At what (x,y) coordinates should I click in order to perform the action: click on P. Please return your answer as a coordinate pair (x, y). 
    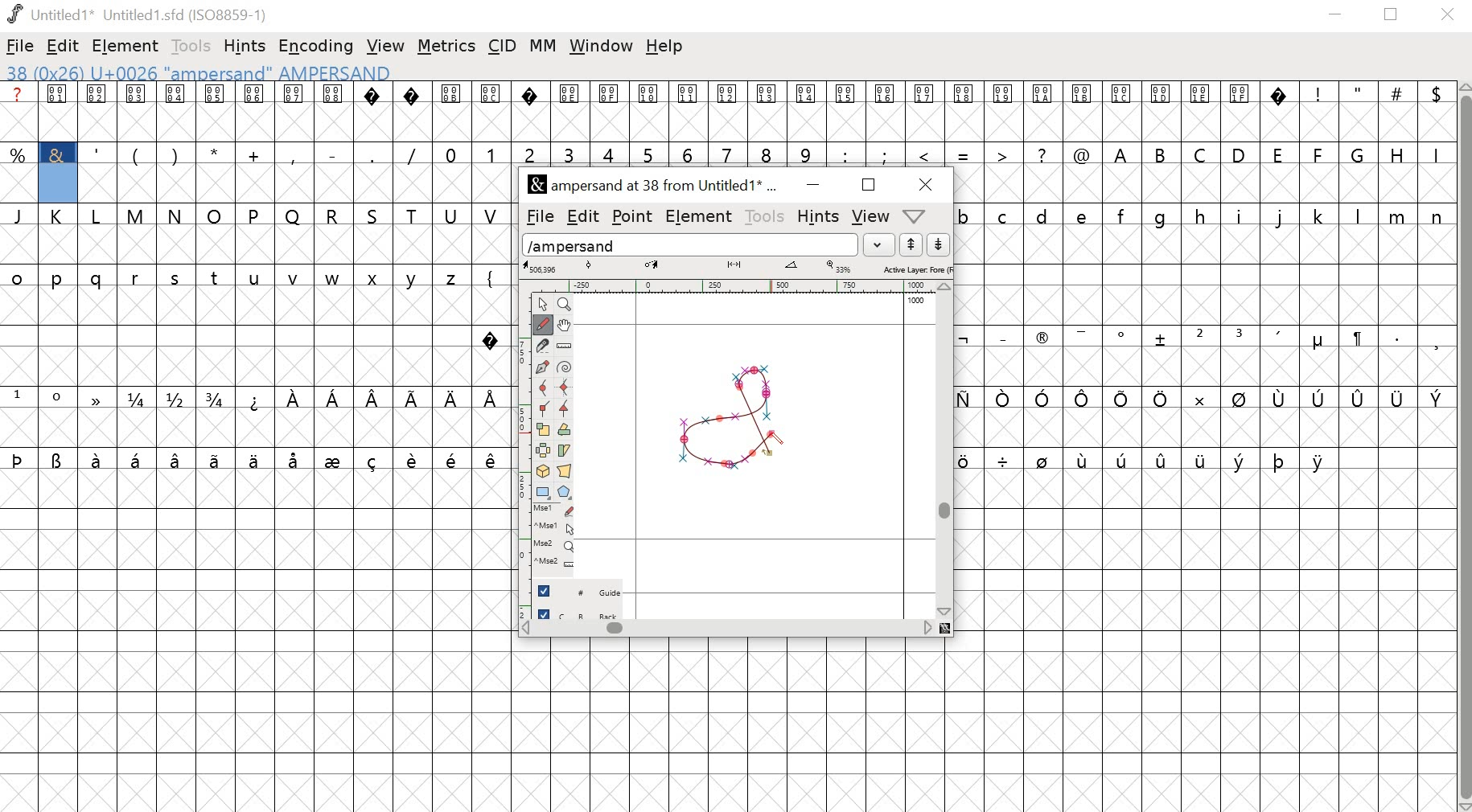
    Looking at the image, I should click on (255, 215).